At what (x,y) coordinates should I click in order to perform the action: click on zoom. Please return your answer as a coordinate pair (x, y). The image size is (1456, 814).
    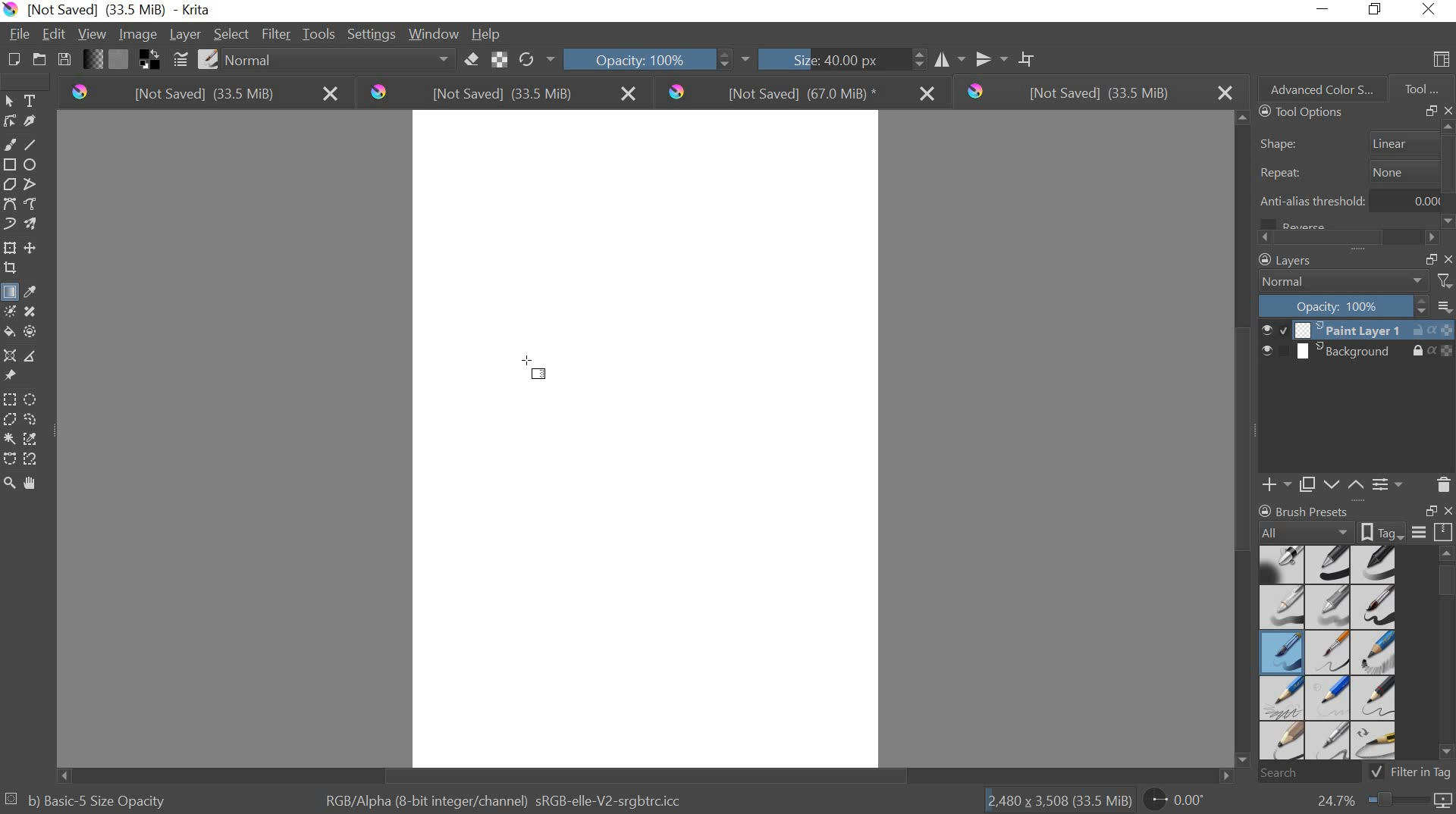
    Looking at the image, I should click on (9, 480).